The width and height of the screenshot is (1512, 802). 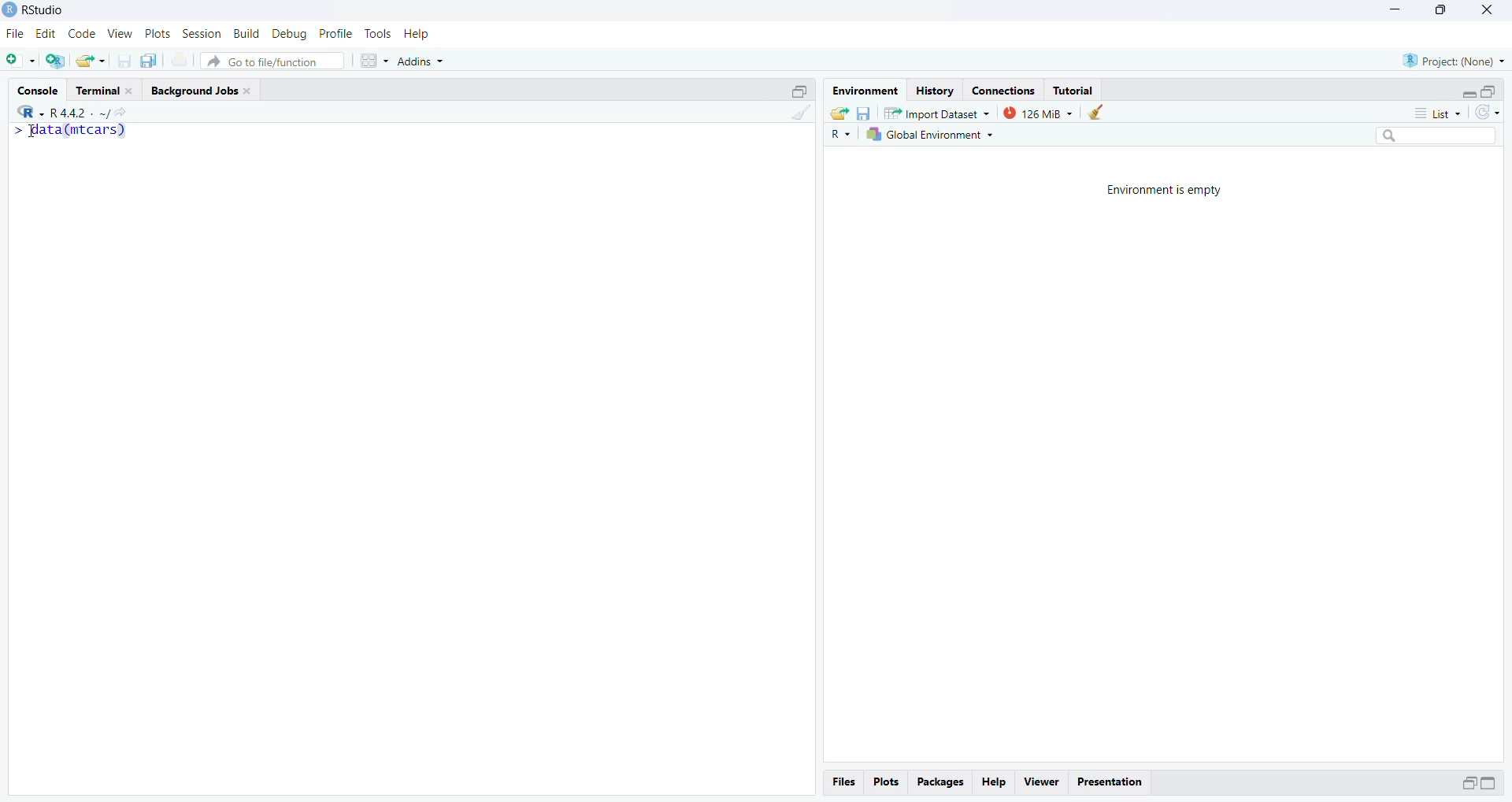 I want to click on print, so click(x=180, y=60).